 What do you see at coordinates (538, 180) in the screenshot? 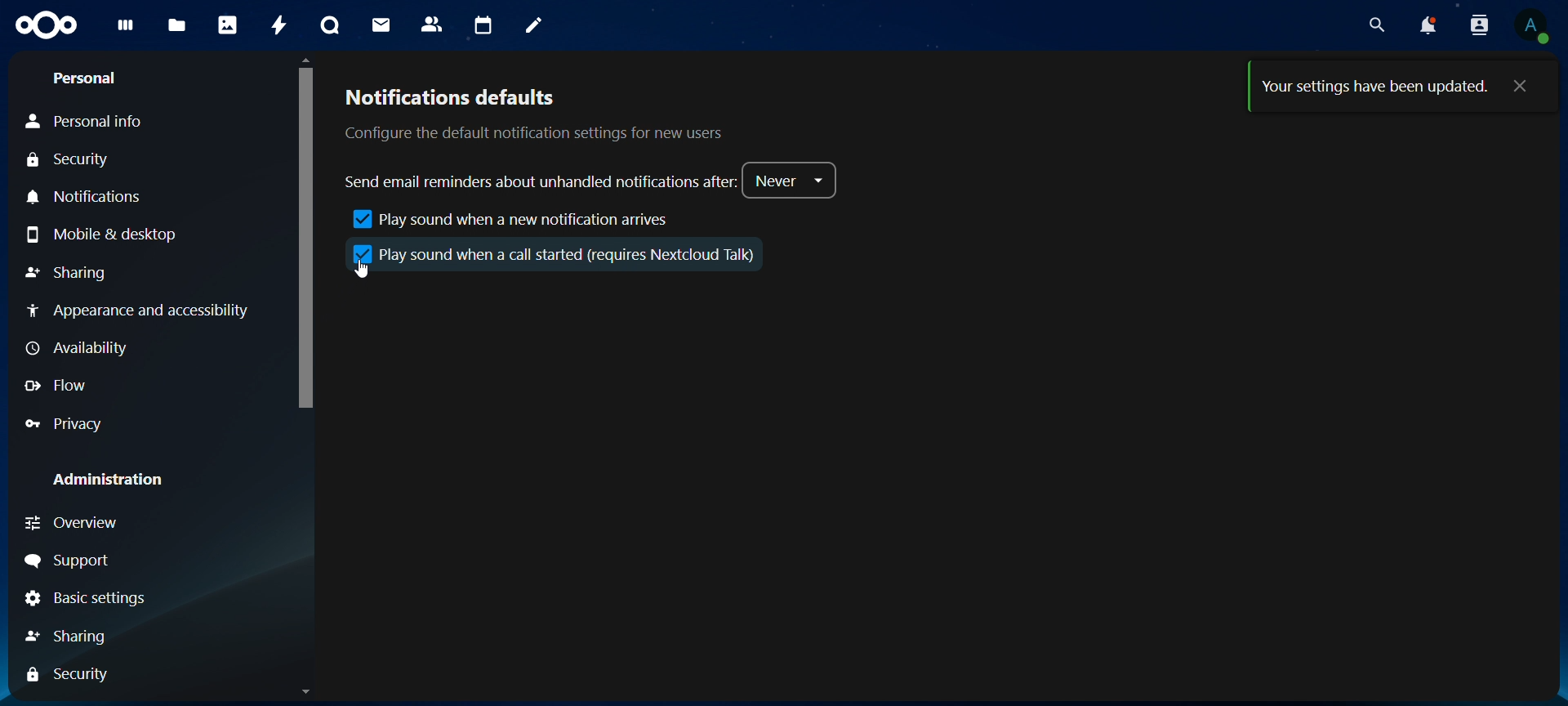
I see `send email reminders about unhandled notifications after` at bounding box center [538, 180].